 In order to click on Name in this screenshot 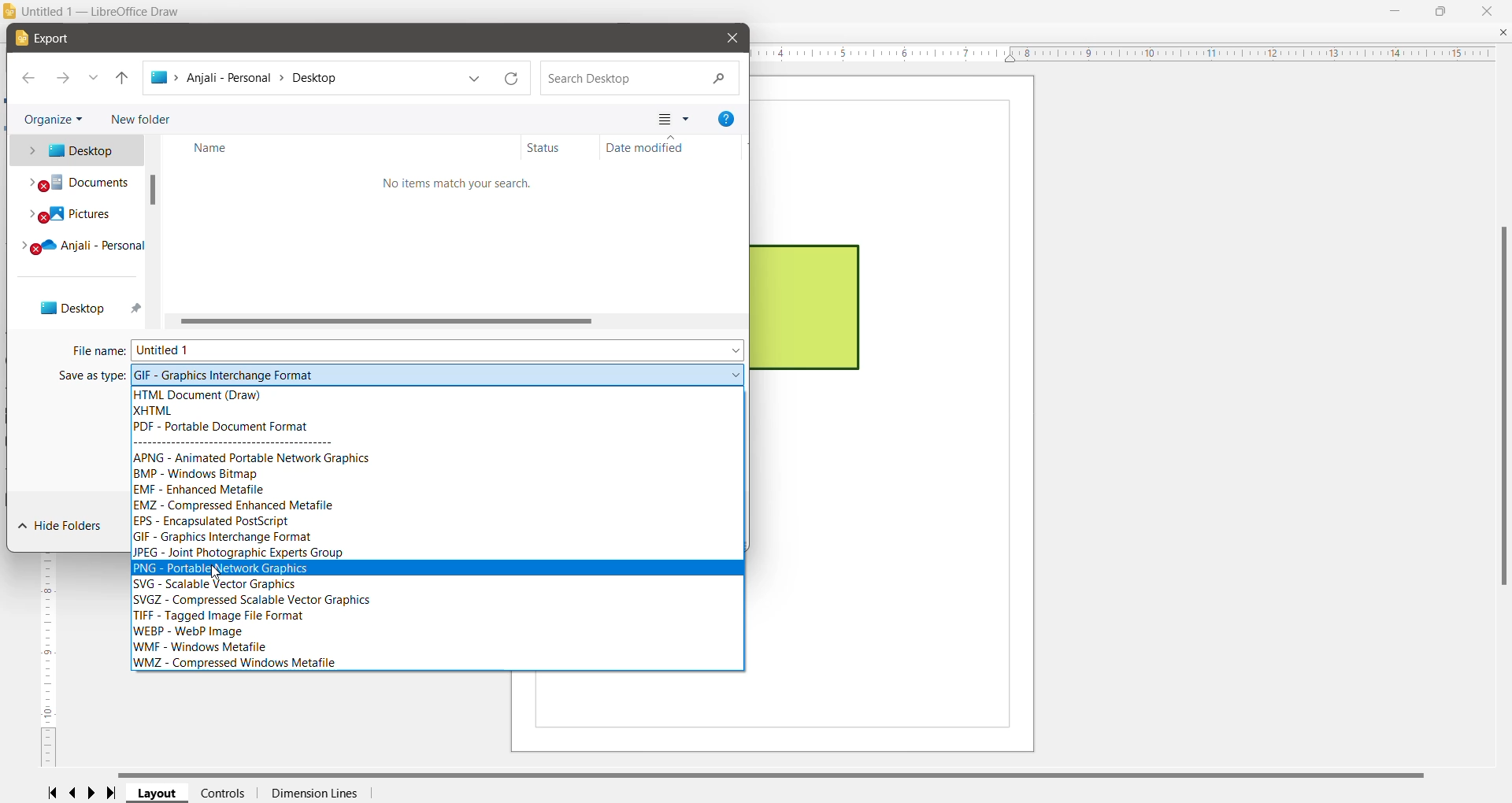, I will do `click(344, 147)`.